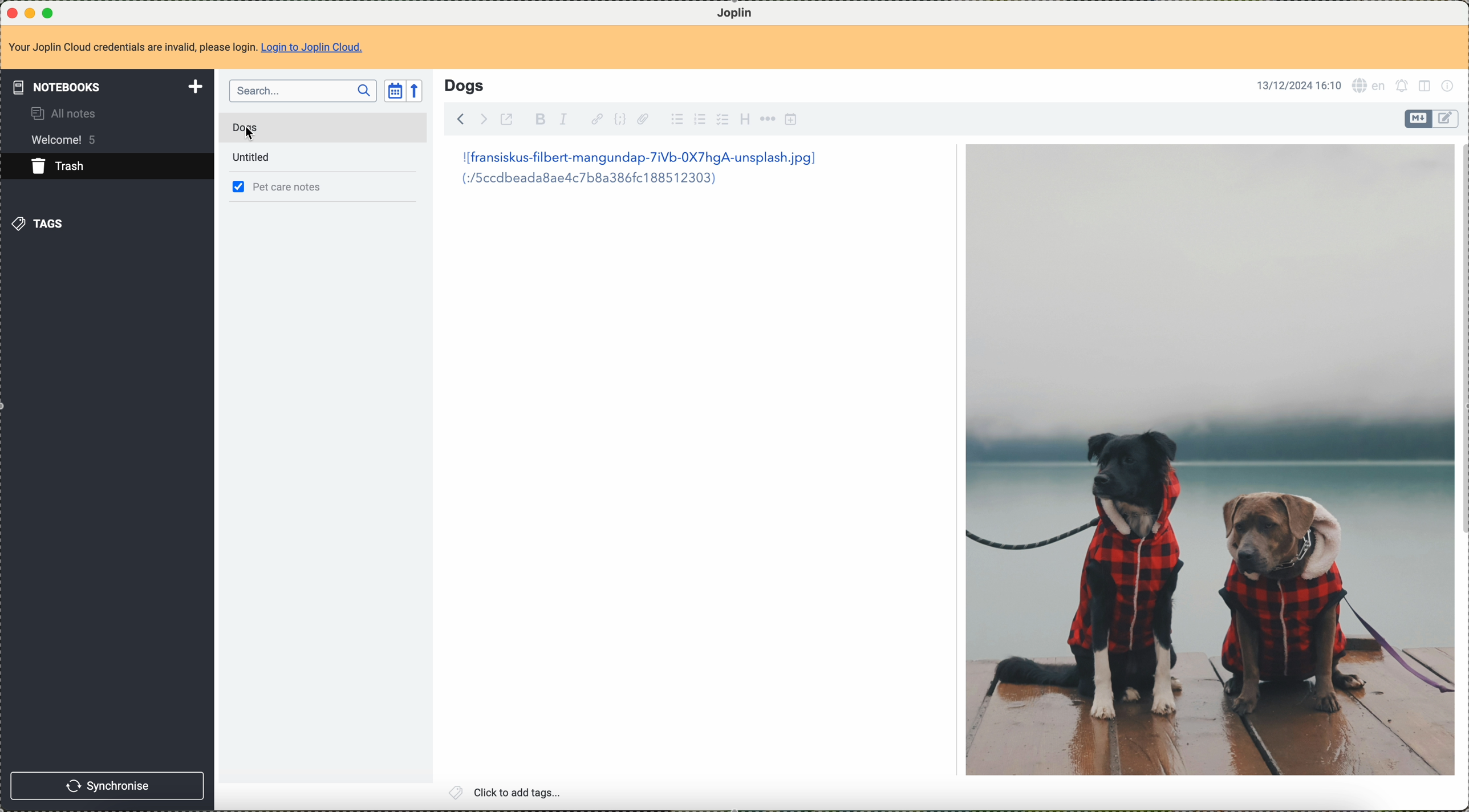  Describe the element at coordinates (262, 128) in the screenshot. I see `click on dogs note` at that location.